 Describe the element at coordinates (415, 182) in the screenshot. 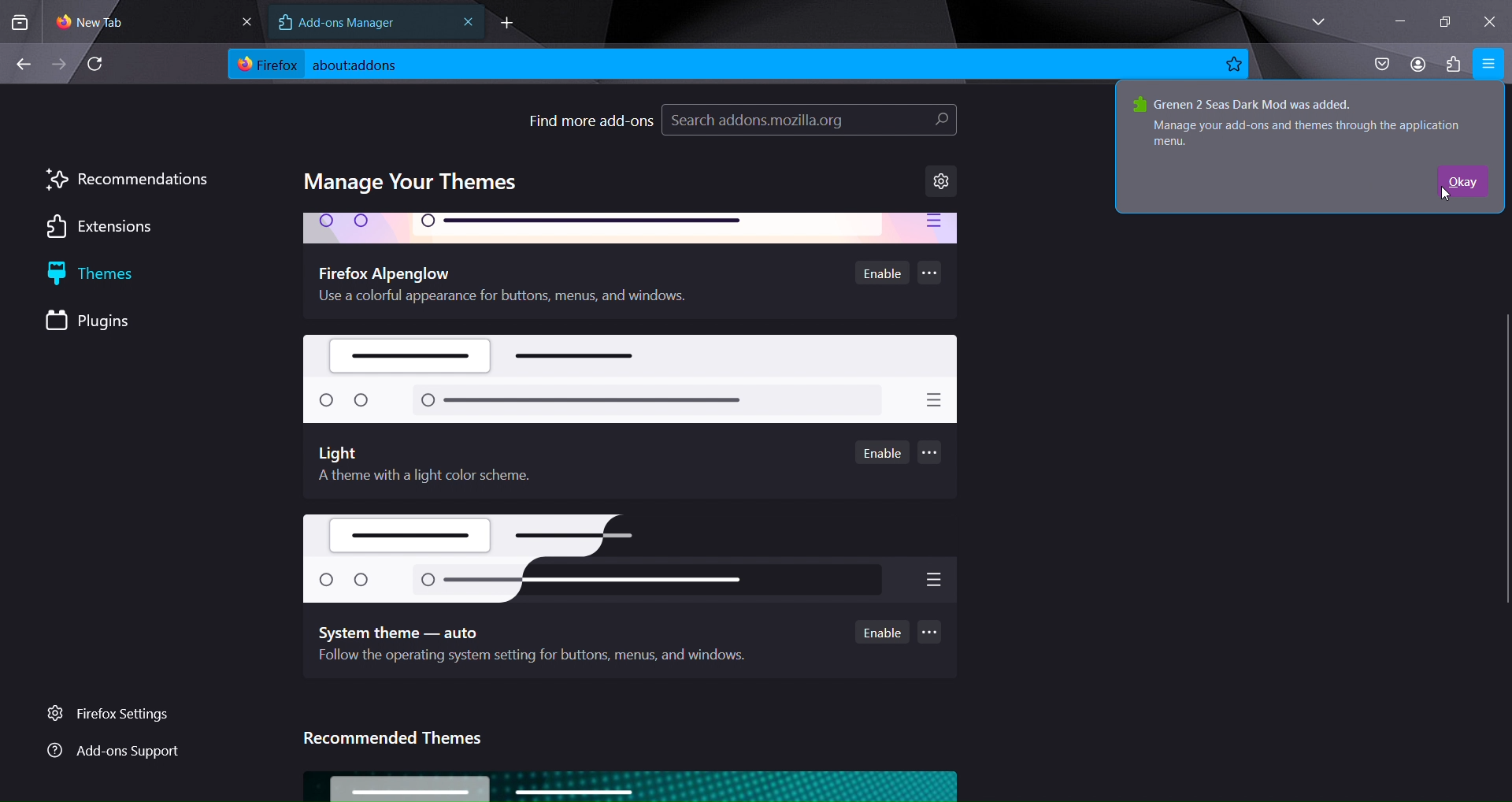

I see `manage your themes` at that location.